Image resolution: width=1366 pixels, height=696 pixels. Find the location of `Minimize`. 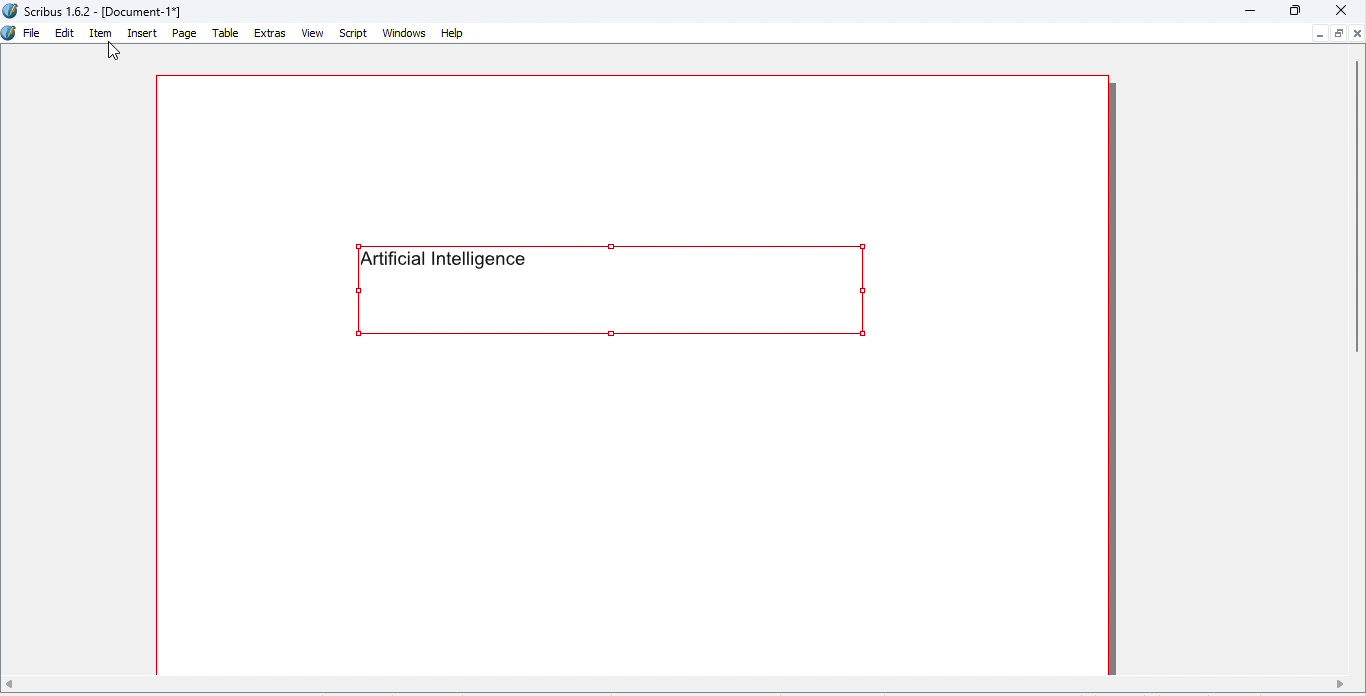

Minimize is located at coordinates (1250, 11).